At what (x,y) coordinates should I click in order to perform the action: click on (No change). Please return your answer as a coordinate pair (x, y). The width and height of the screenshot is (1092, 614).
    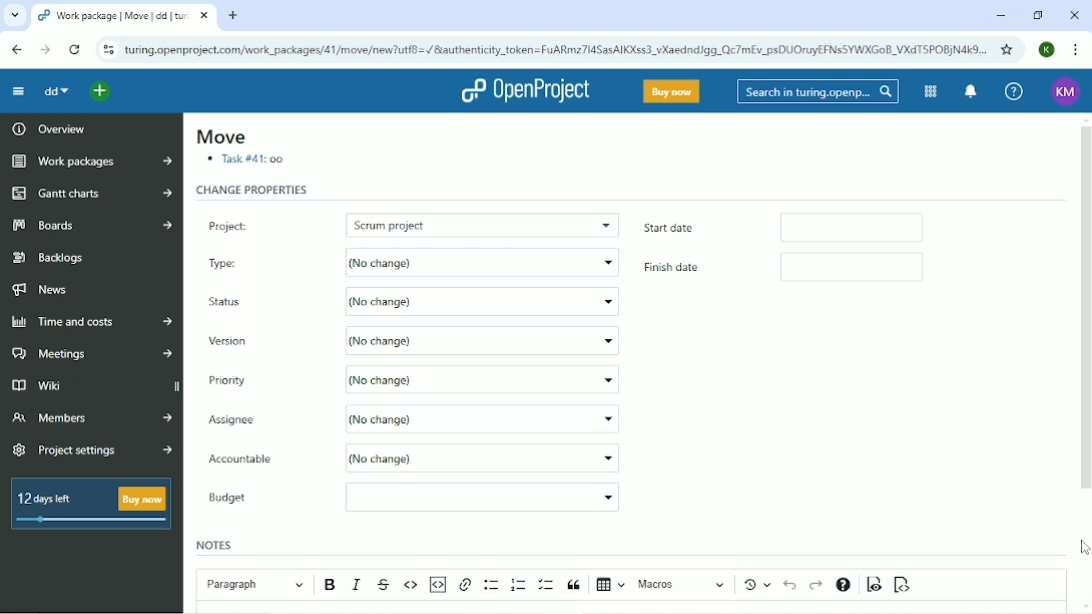
    Looking at the image, I should click on (483, 341).